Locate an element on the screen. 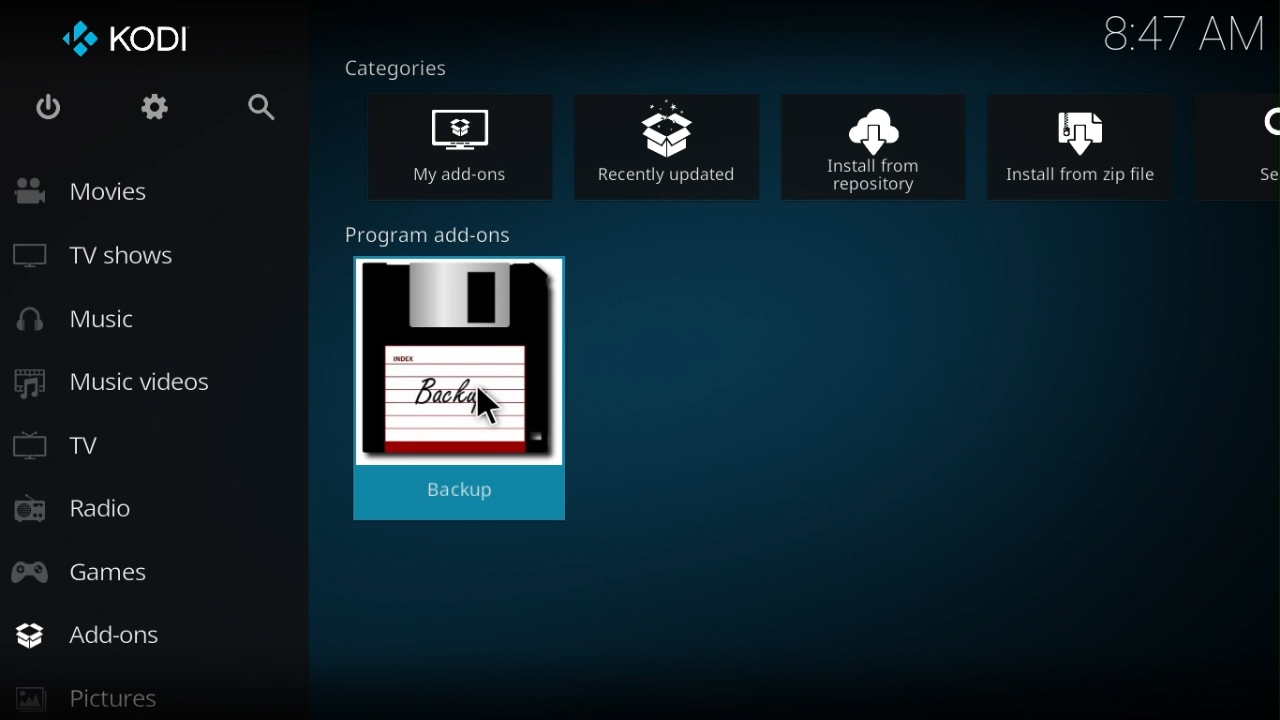 Image resolution: width=1280 pixels, height=720 pixels. Power is located at coordinates (48, 111).